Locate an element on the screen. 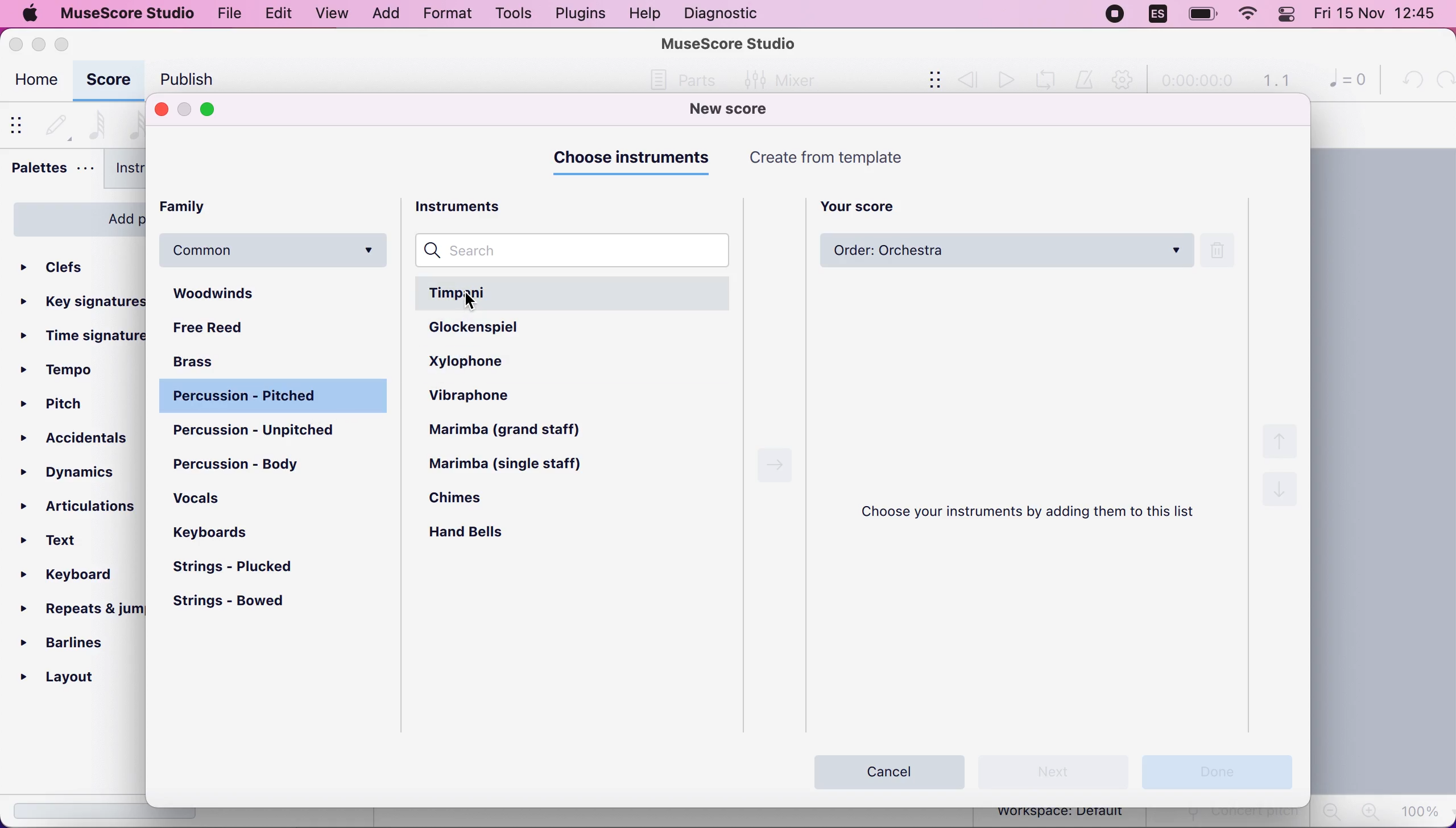  chimes is located at coordinates (472, 502).